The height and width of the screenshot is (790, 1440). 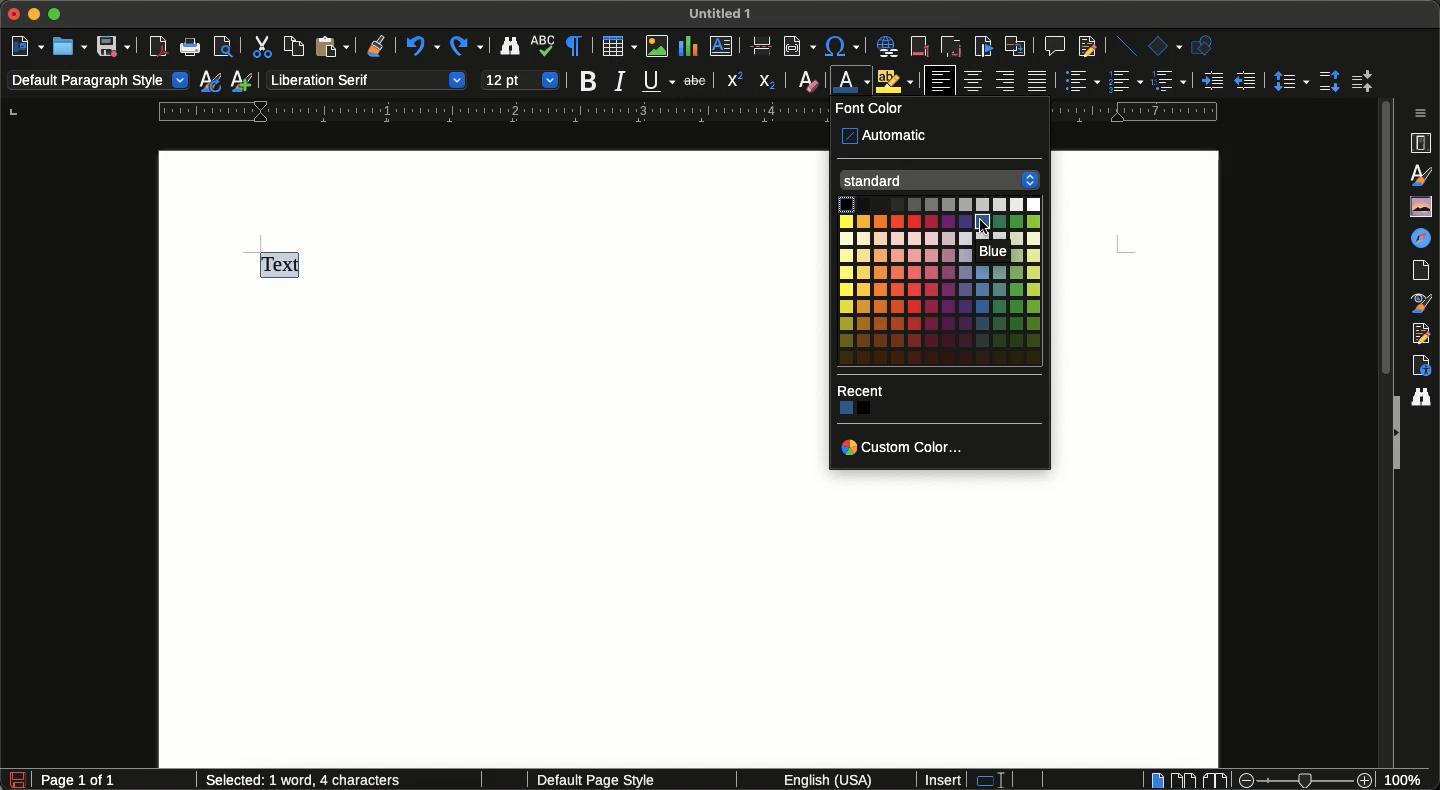 I want to click on Insert chart, so click(x=688, y=46).